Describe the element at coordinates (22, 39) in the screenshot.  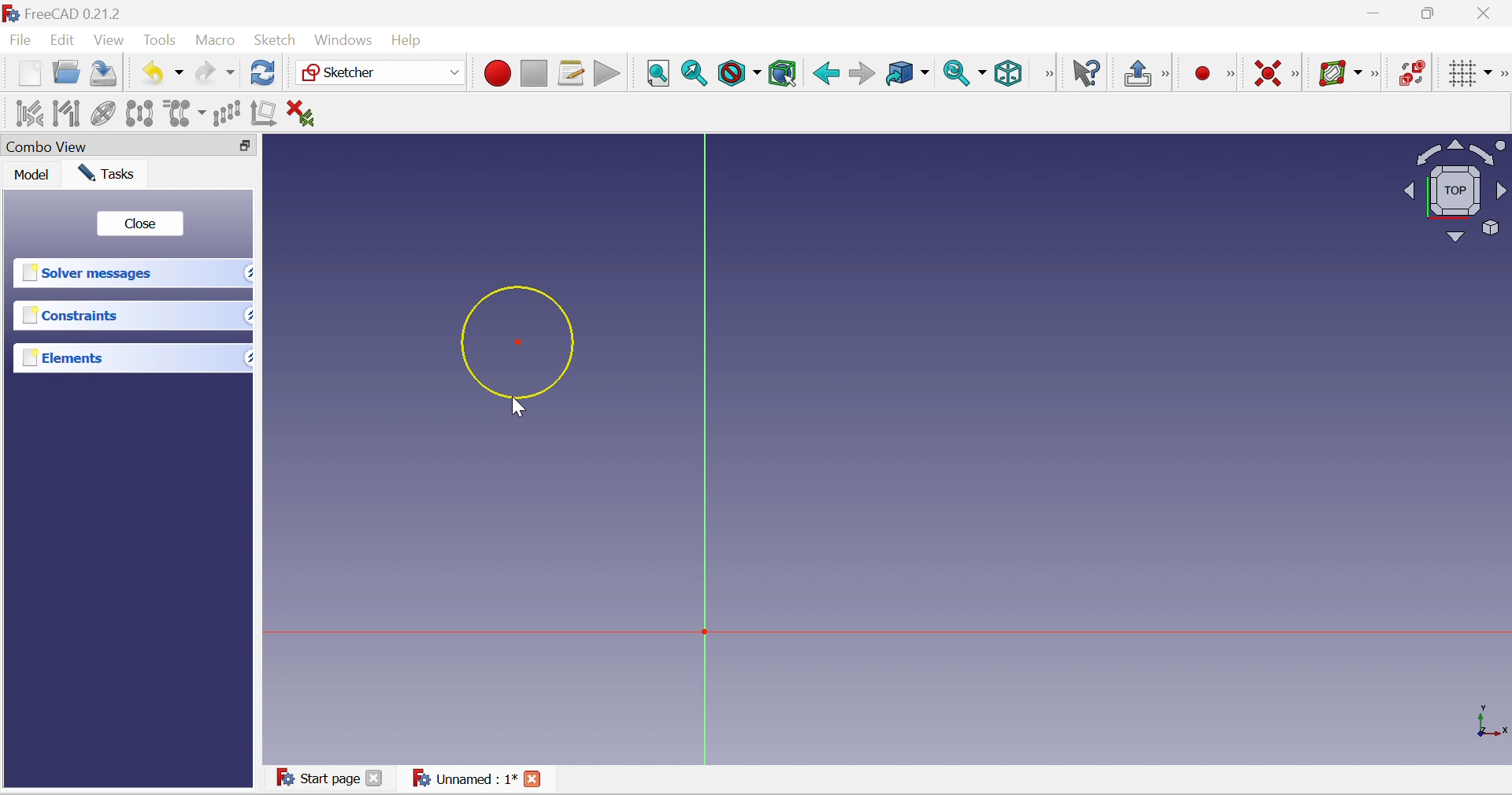
I see `File` at that location.